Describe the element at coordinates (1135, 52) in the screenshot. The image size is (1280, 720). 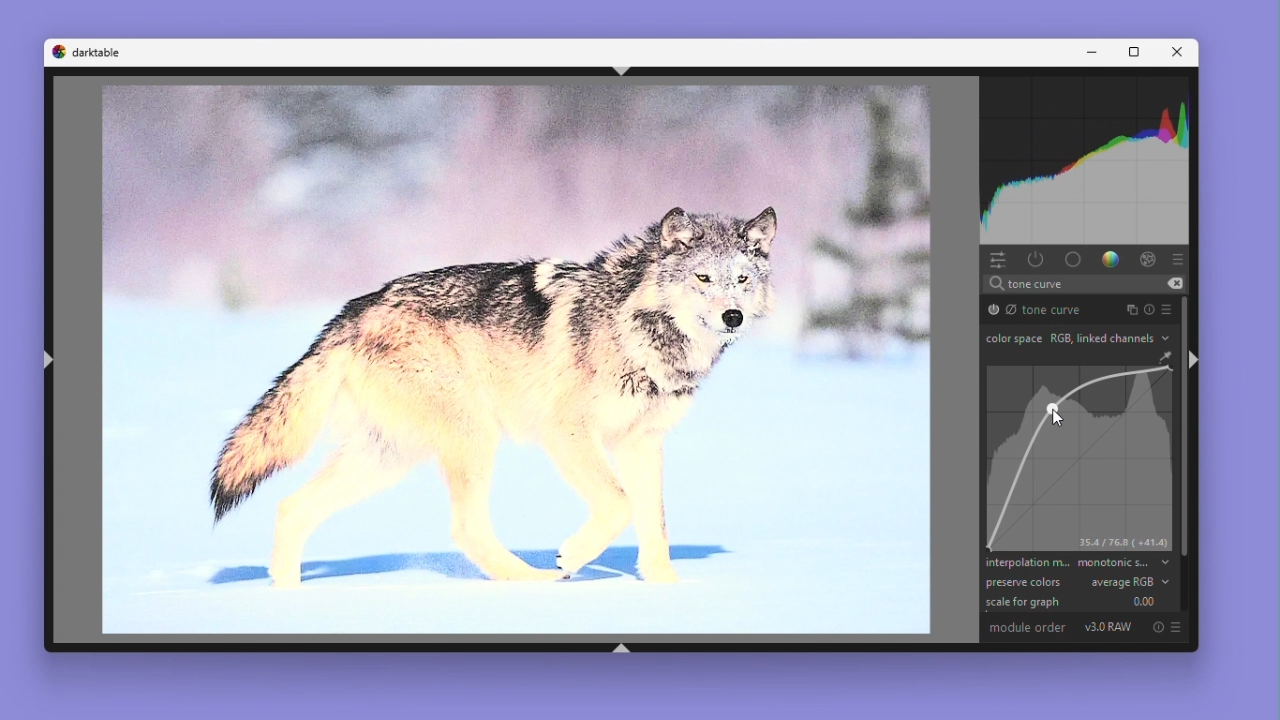
I see `Maximize` at that location.